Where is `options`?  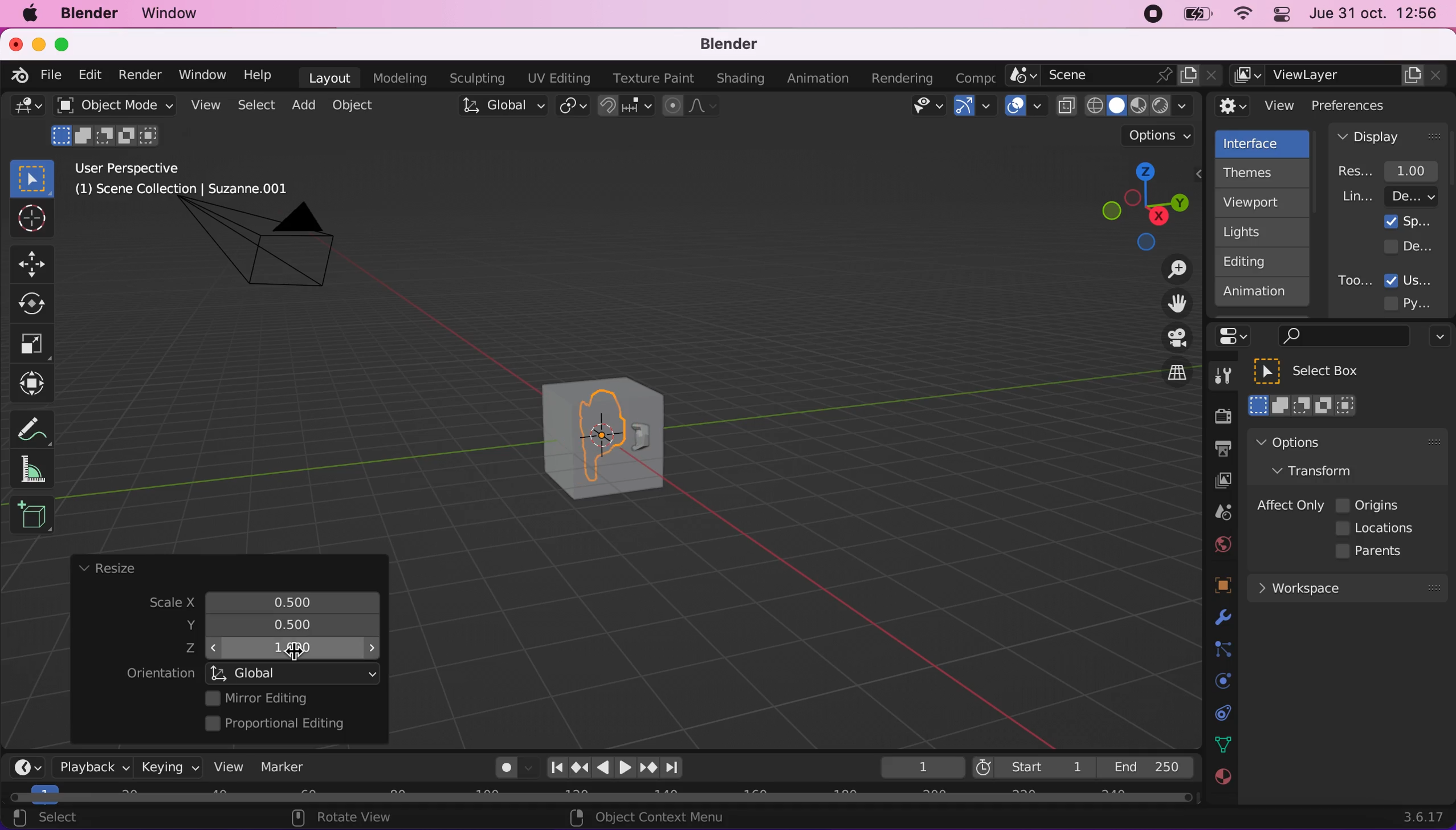
options is located at coordinates (1437, 338).